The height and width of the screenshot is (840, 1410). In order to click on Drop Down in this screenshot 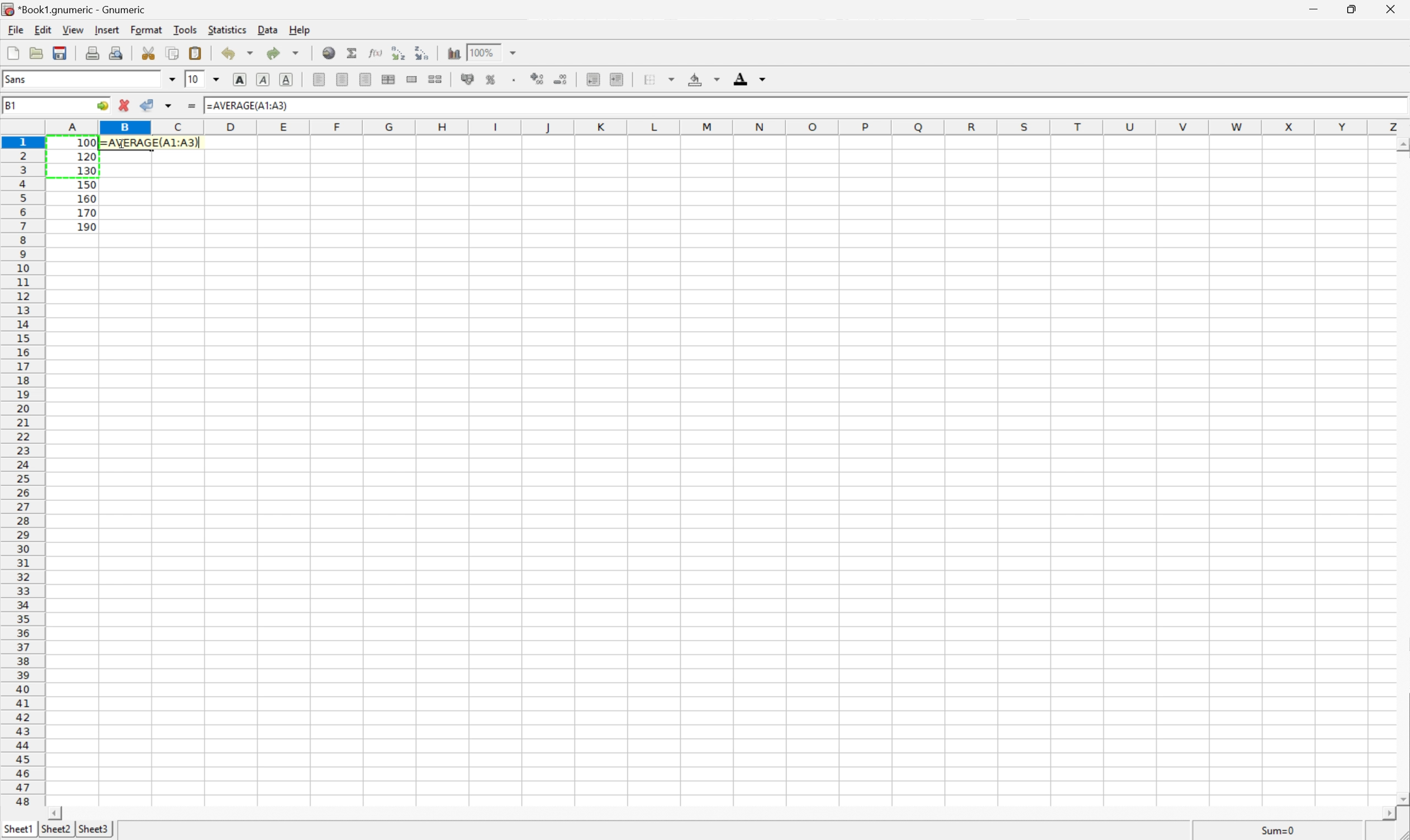, I will do `click(218, 79)`.